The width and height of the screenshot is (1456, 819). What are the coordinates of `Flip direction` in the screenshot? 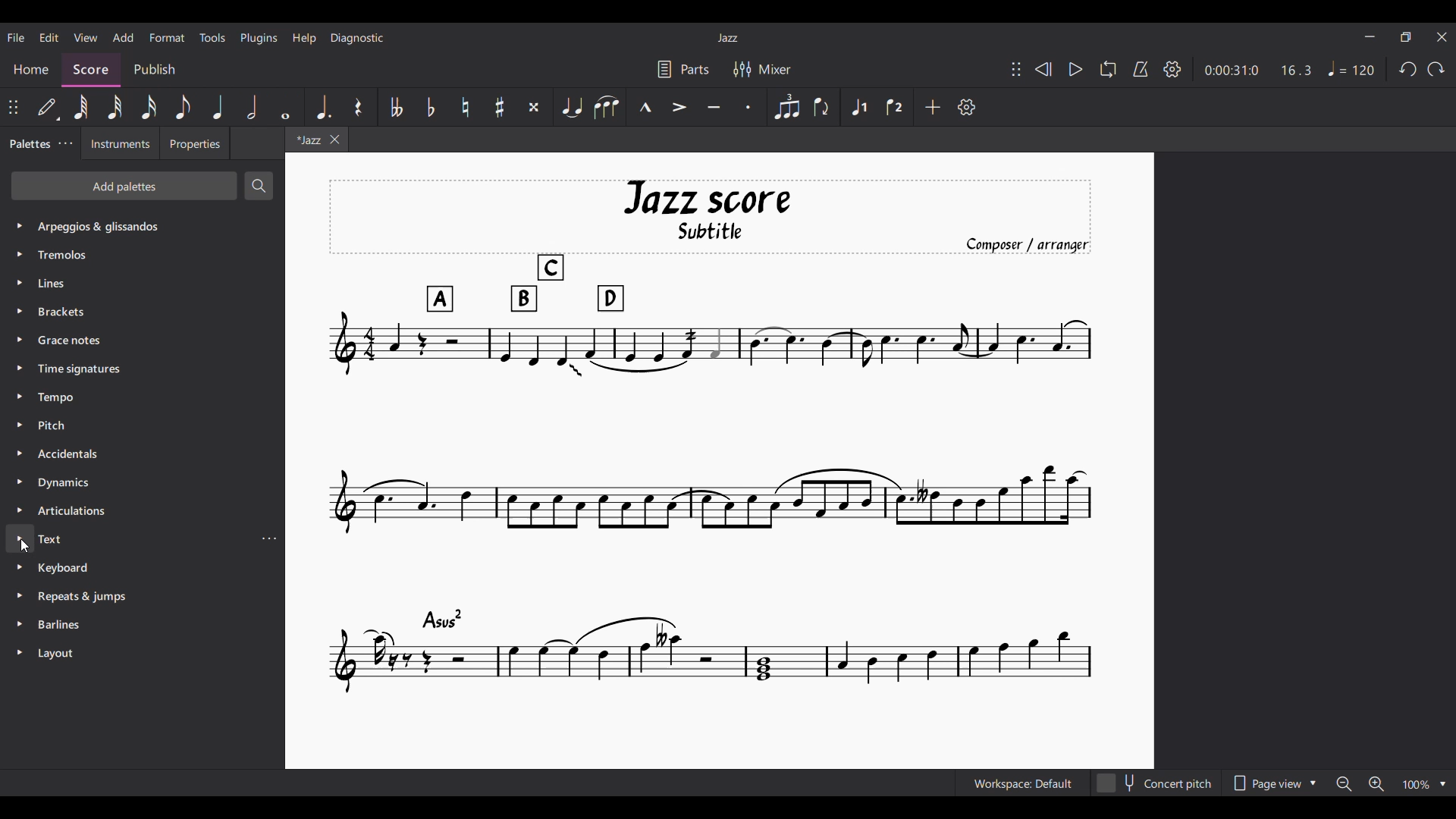 It's located at (822, 106).